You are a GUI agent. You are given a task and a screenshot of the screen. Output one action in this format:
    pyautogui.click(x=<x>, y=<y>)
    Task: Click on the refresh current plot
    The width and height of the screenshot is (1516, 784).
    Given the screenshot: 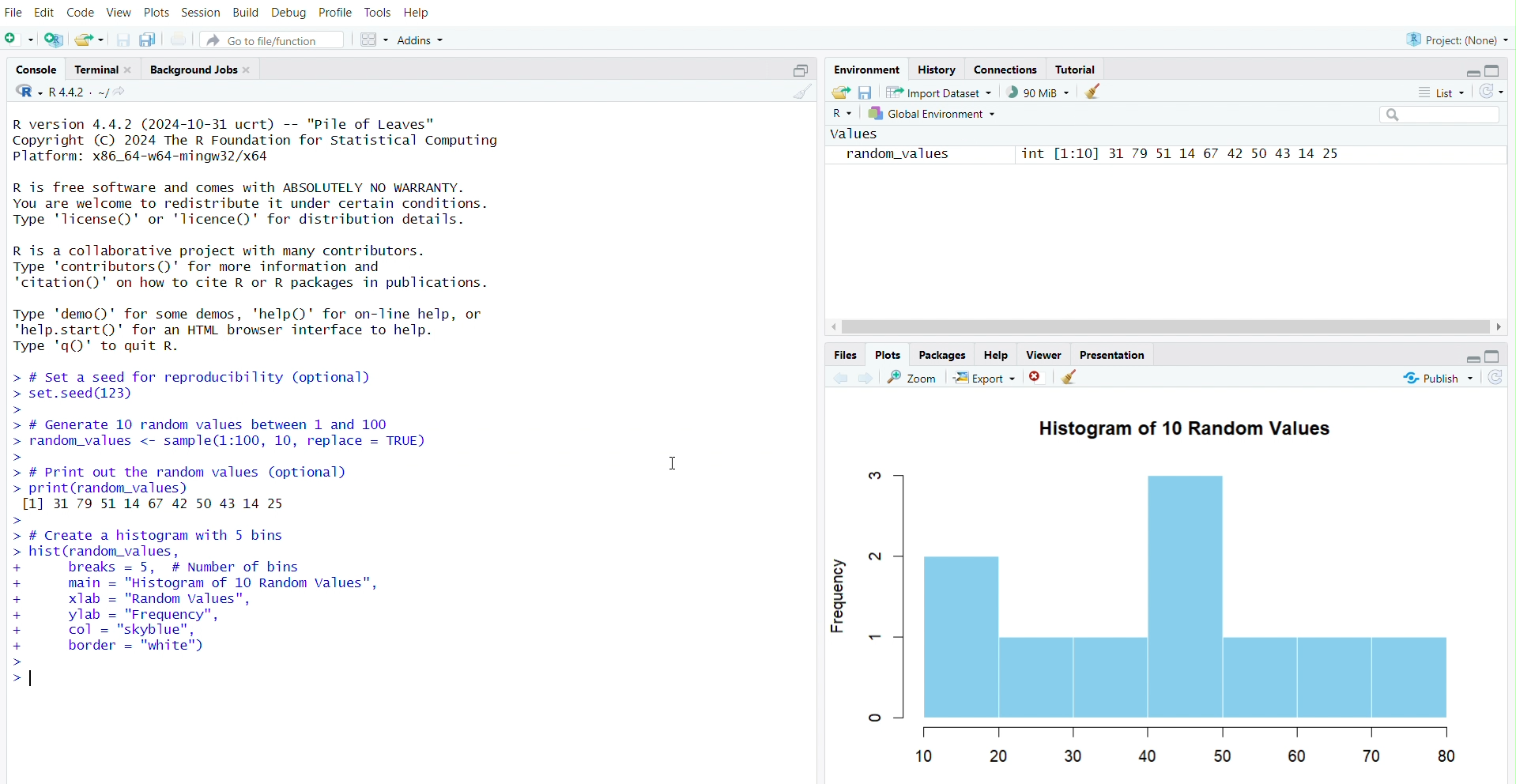 What is the action you would take?
    pyautogui.click(x=1499, y=380)
    